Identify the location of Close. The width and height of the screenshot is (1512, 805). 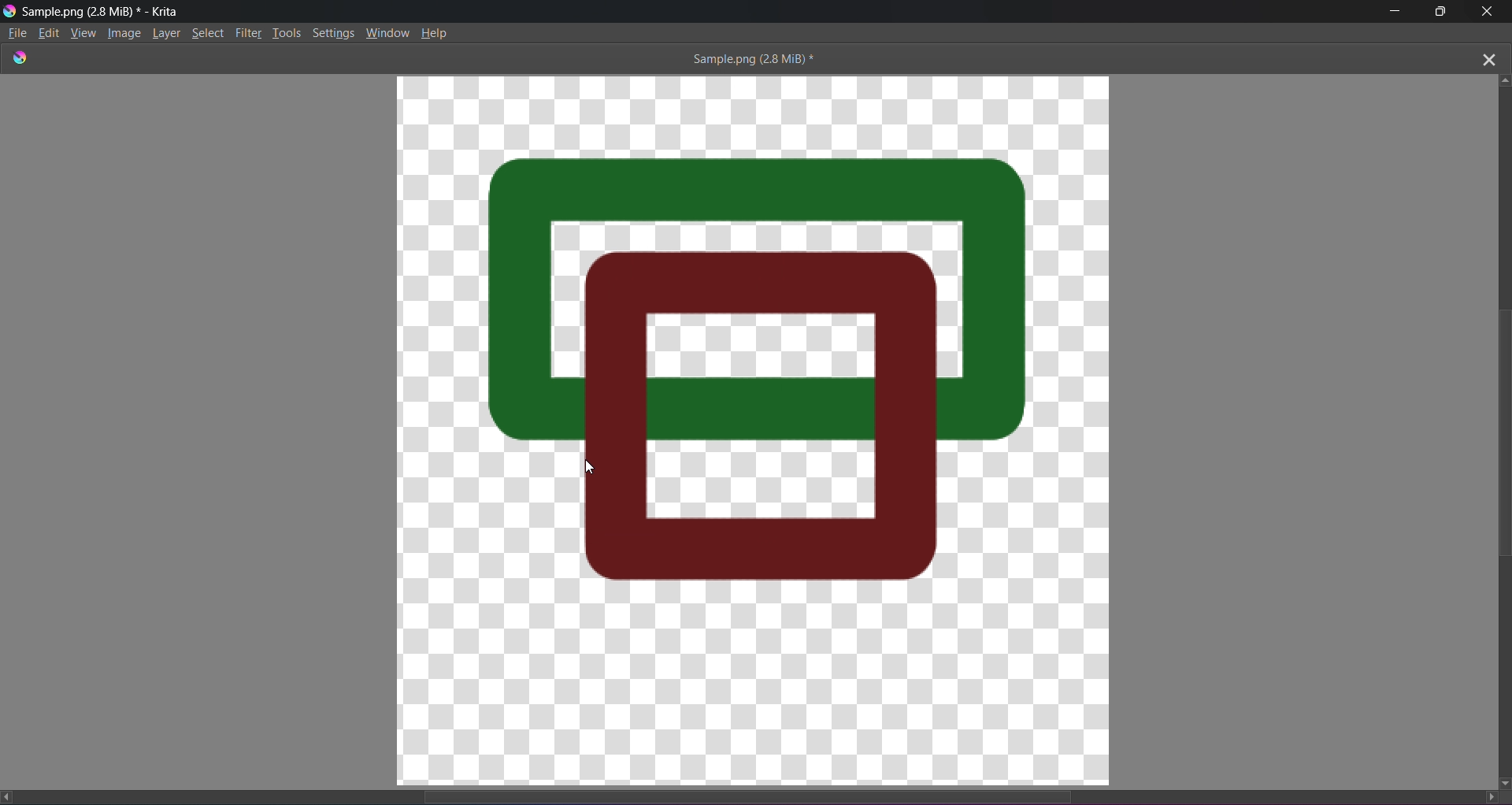
(1488, 13).